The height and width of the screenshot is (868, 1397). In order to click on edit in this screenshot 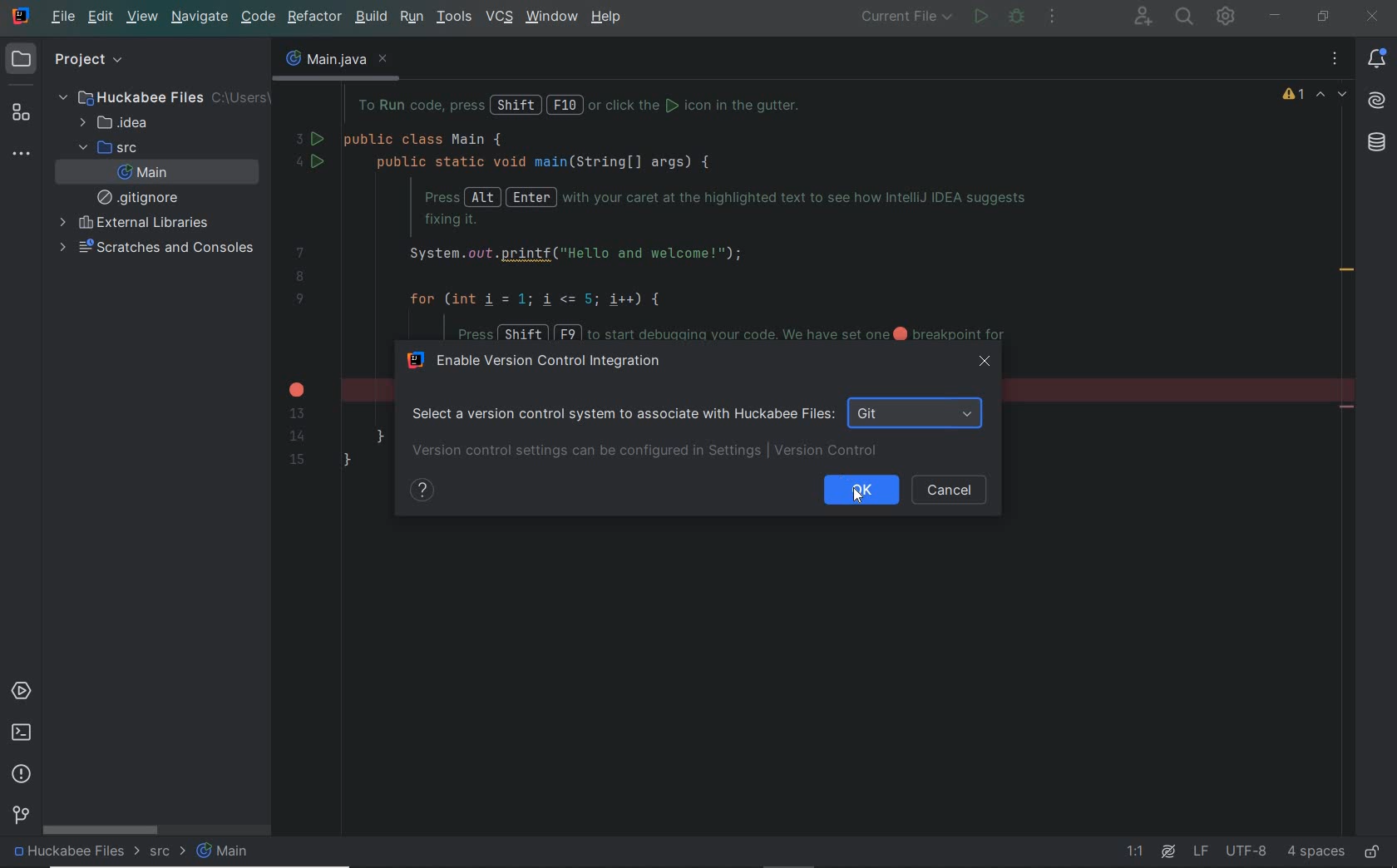, I will do `click(101, 18)`.